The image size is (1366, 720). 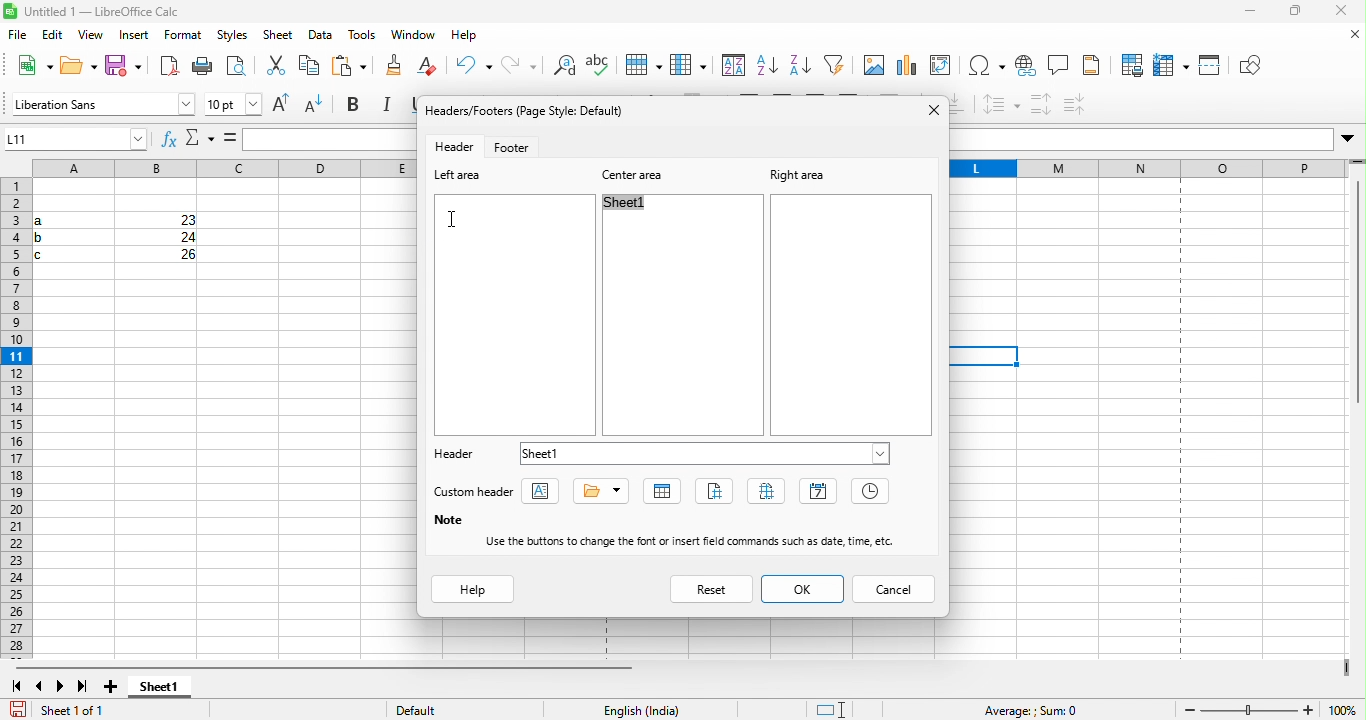 What do you see at coordinates (691, 543) in the screenshot?
I see `use the buttons to change the font or insert field commands such as data,time etc` at bounding box center [691, 543].